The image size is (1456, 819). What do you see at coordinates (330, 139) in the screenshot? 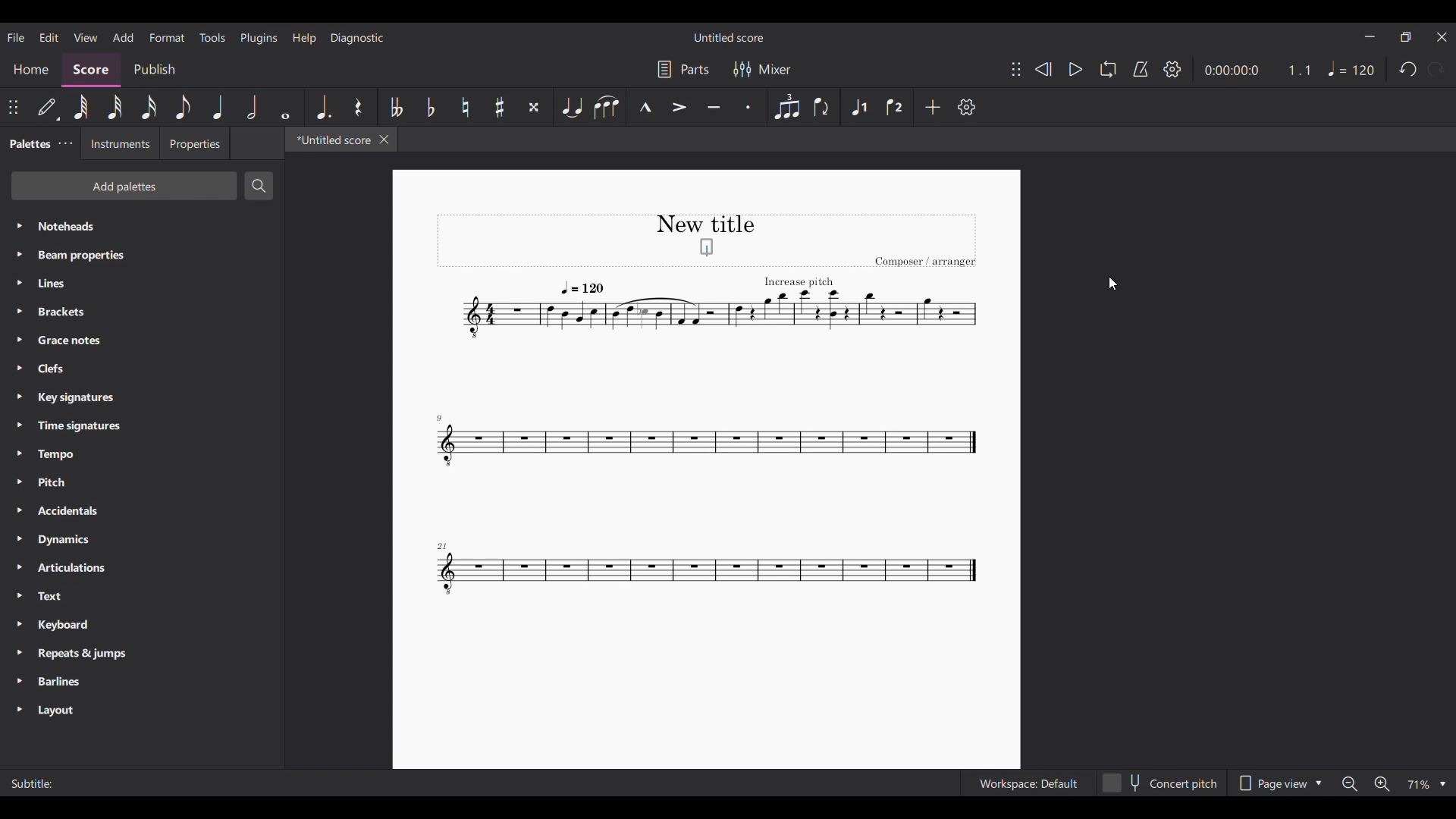
I see `*Untitled score, current tab` at bounding box center [330, 139].